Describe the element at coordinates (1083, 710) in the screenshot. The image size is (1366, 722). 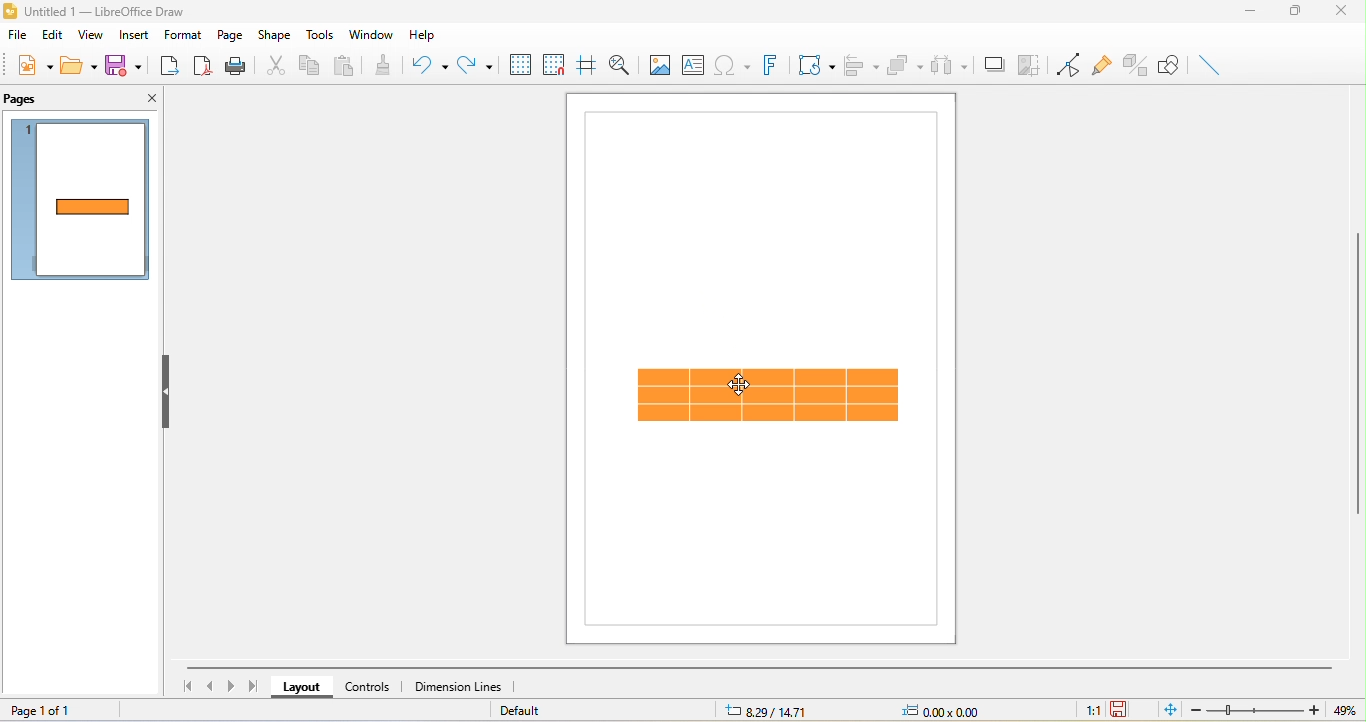
I see `1:1` at that location.